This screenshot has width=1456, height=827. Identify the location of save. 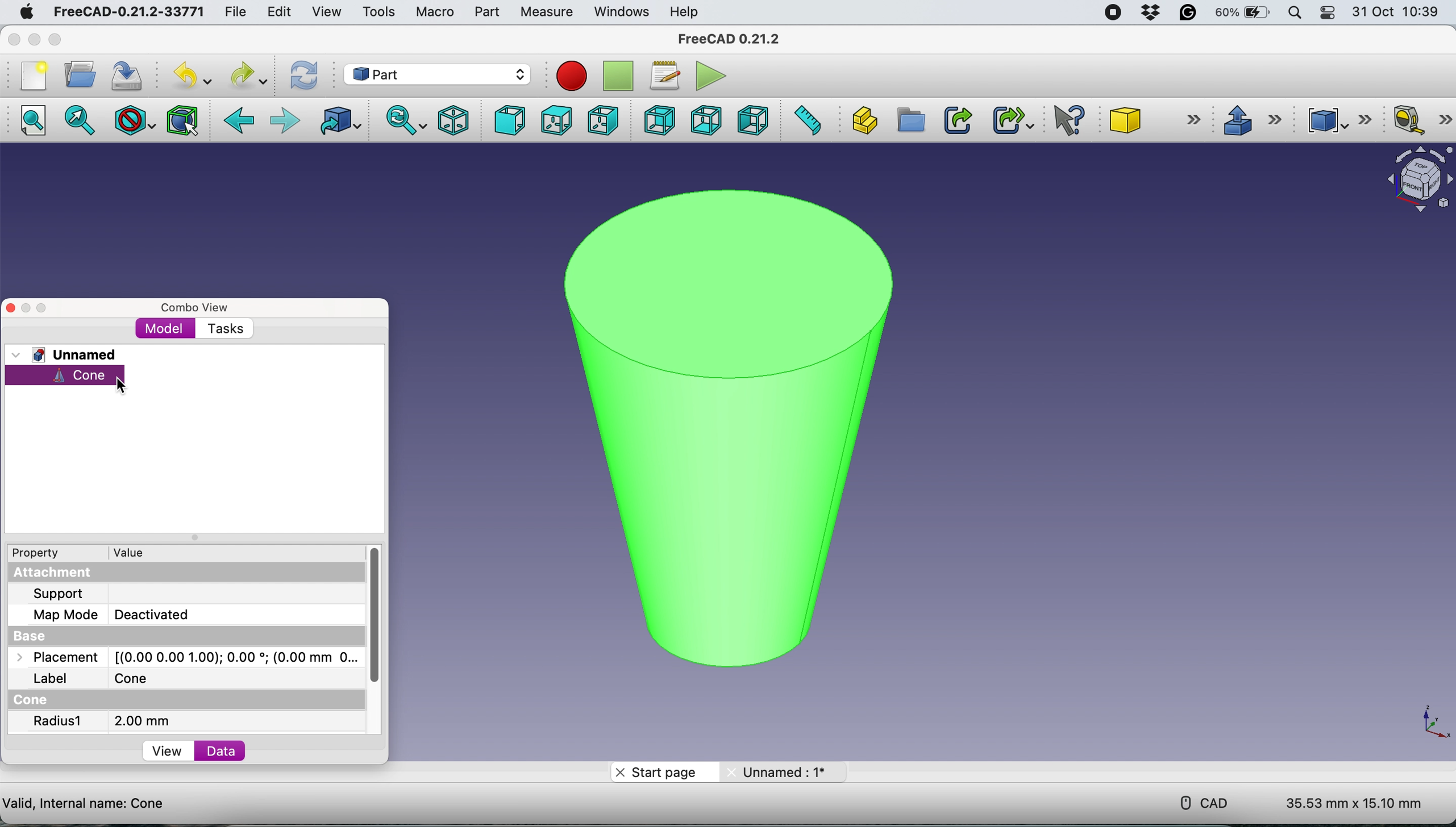
(127, 75).